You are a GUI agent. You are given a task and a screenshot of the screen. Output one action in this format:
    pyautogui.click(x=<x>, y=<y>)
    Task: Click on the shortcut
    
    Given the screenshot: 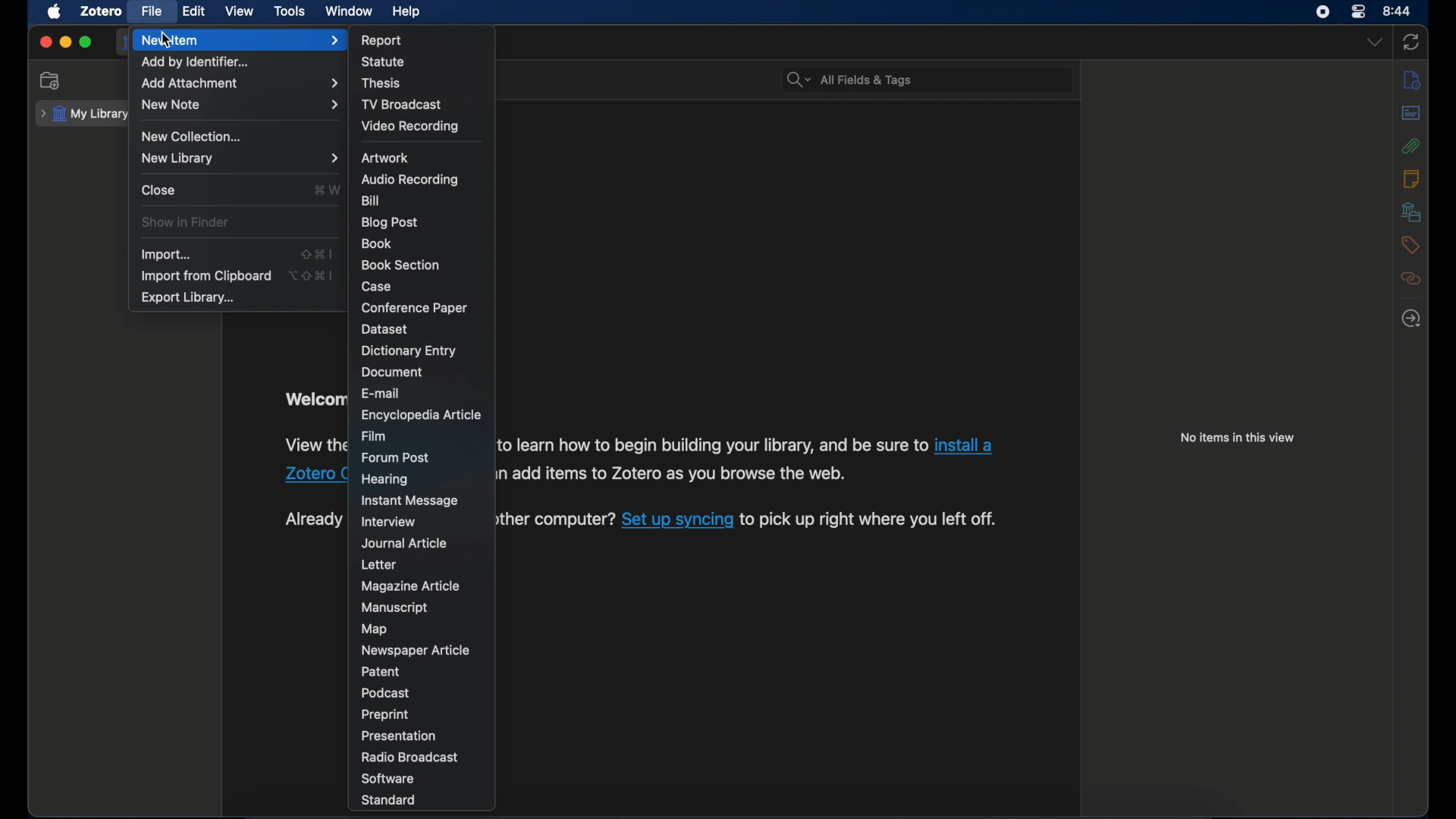 What is the action you would take?
    pyautogui.click(x=310, y=276)
    